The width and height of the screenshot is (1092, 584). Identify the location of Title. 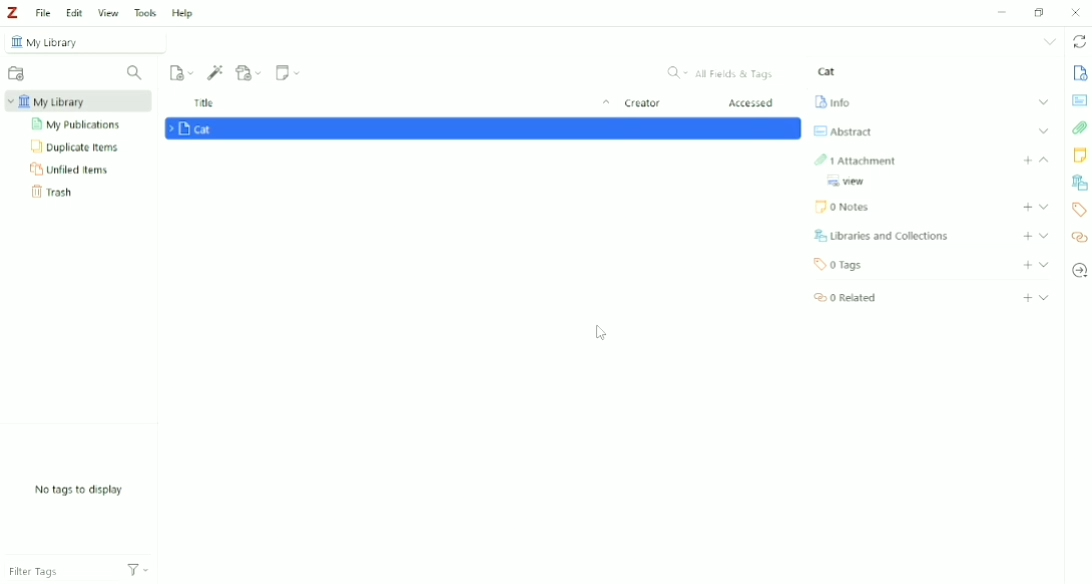
(404, 104).